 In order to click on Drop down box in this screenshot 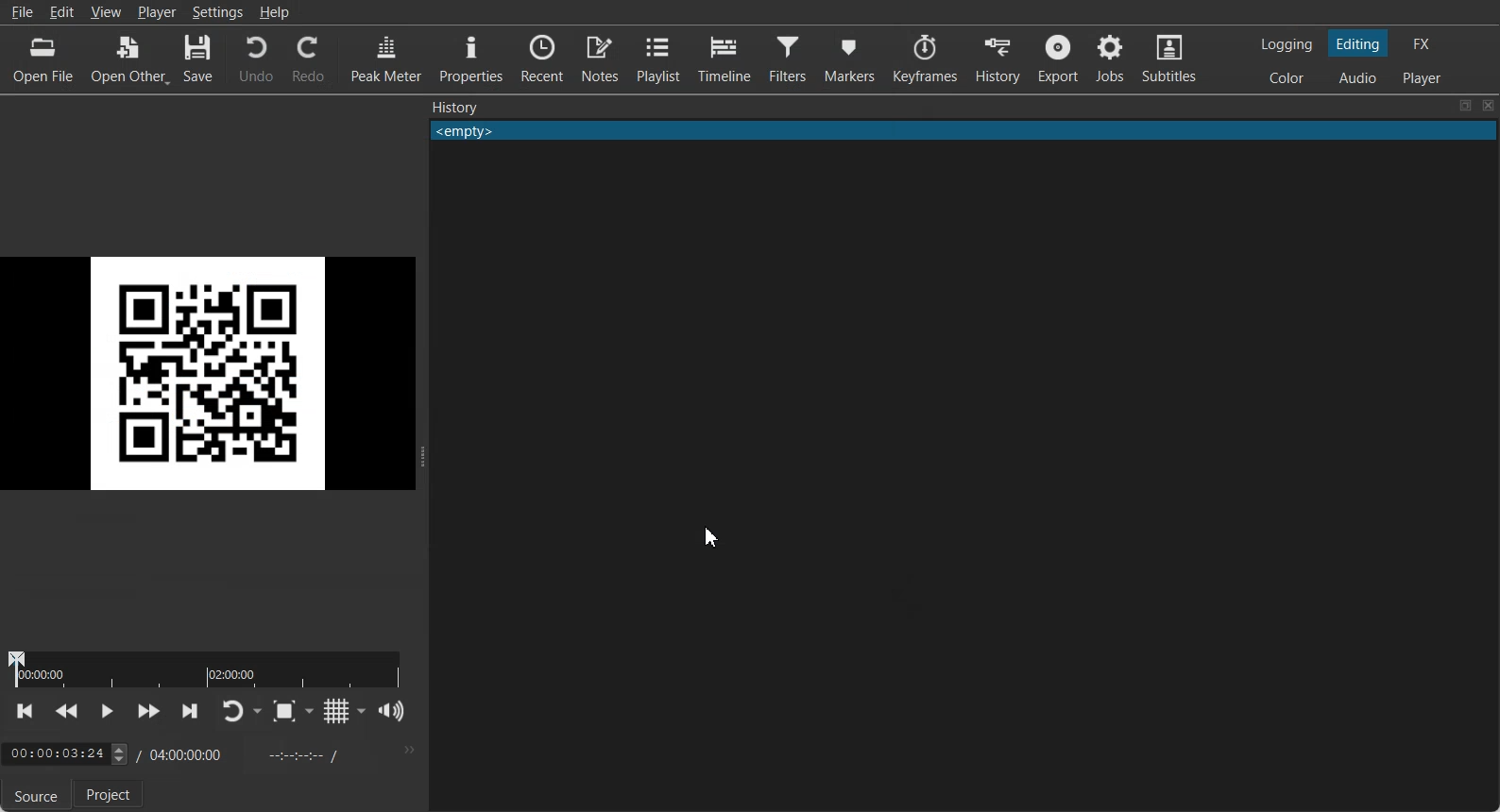, I will do `click(362, 710)`.